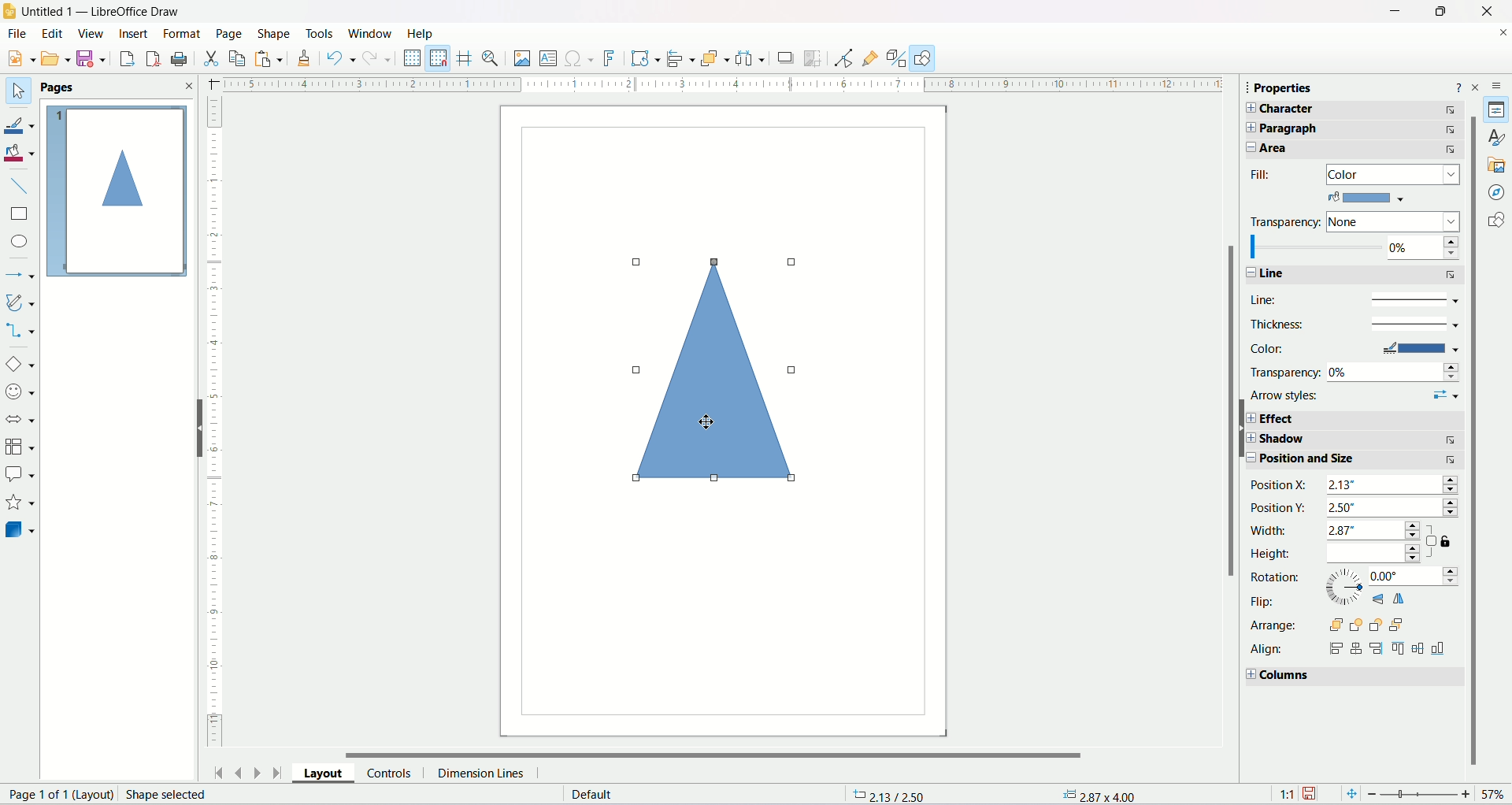 The image size is (1512, 805). I want to click on transparency, so click(1354, 372).